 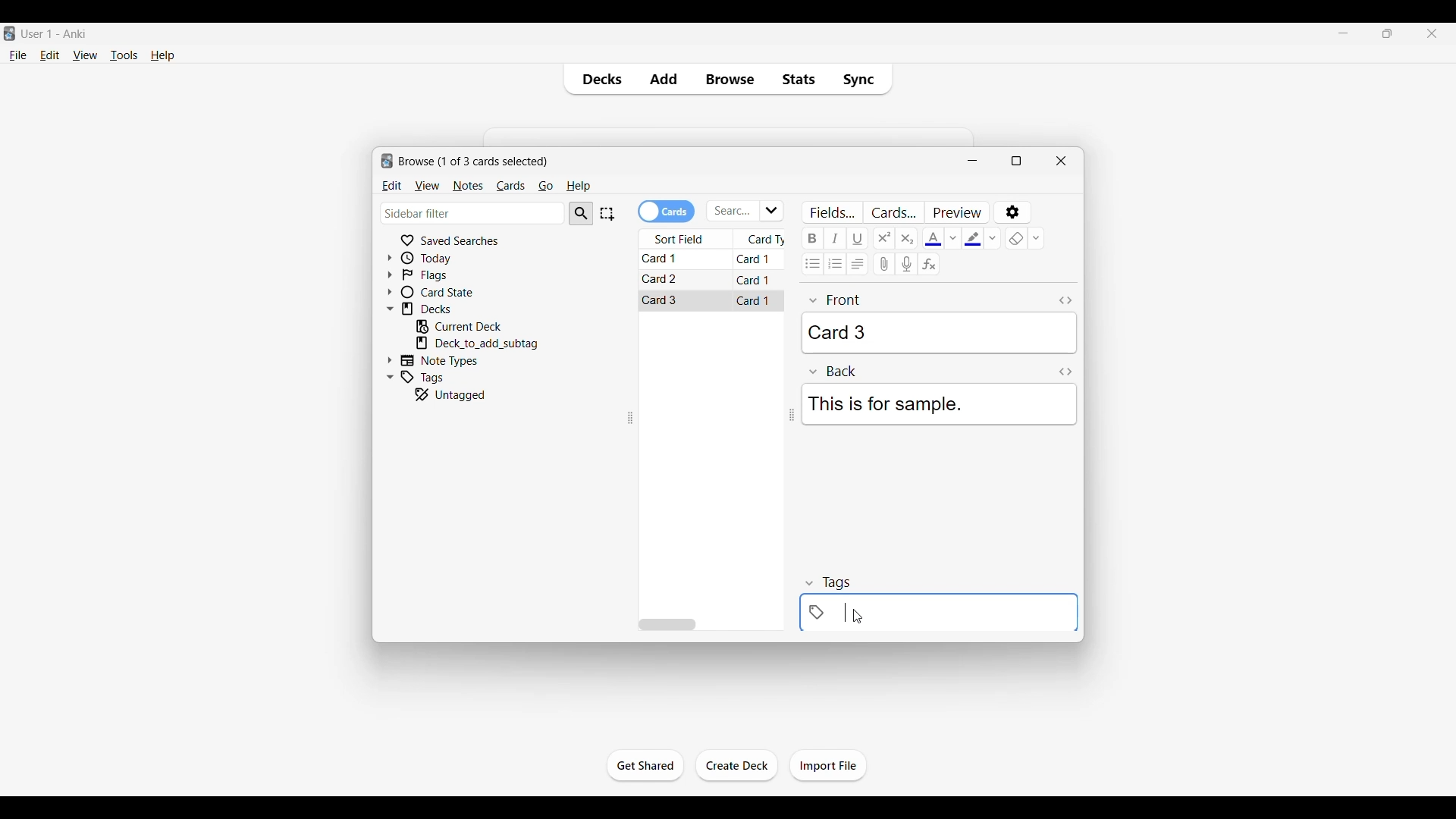 I want to click on Decks, so click(x=598, y=79).